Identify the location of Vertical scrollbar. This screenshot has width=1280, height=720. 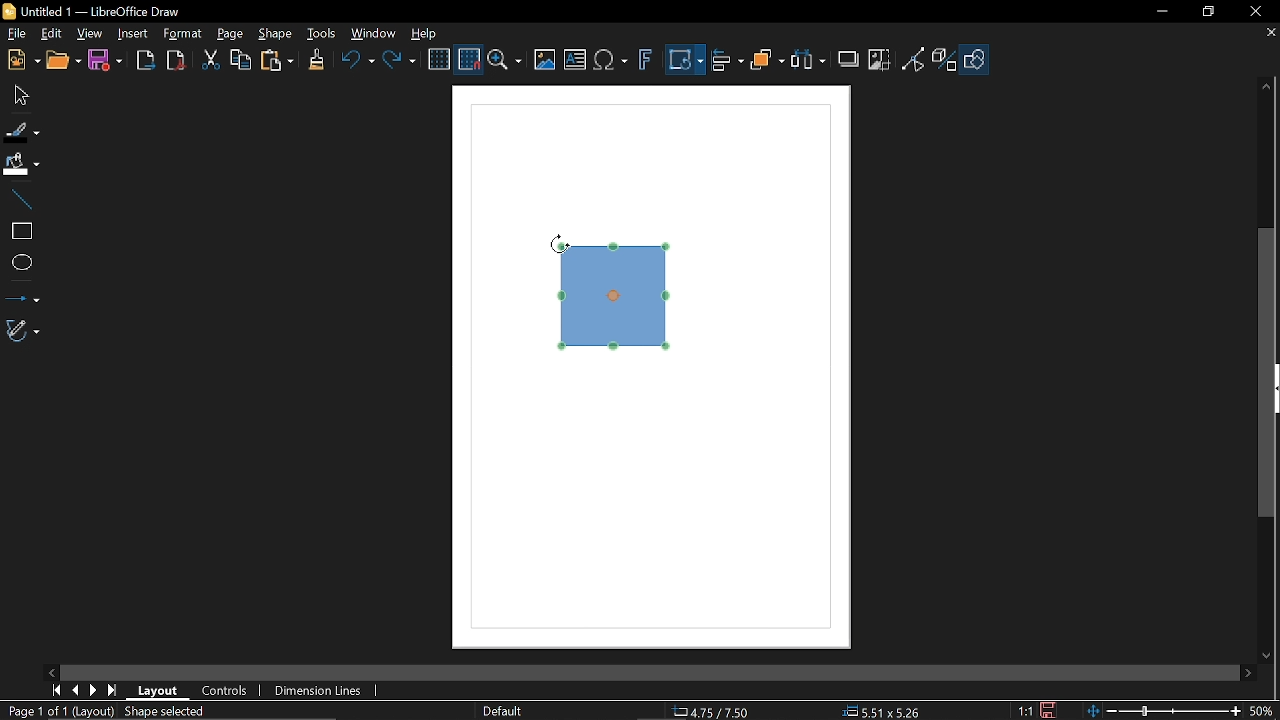
(1270, 375).